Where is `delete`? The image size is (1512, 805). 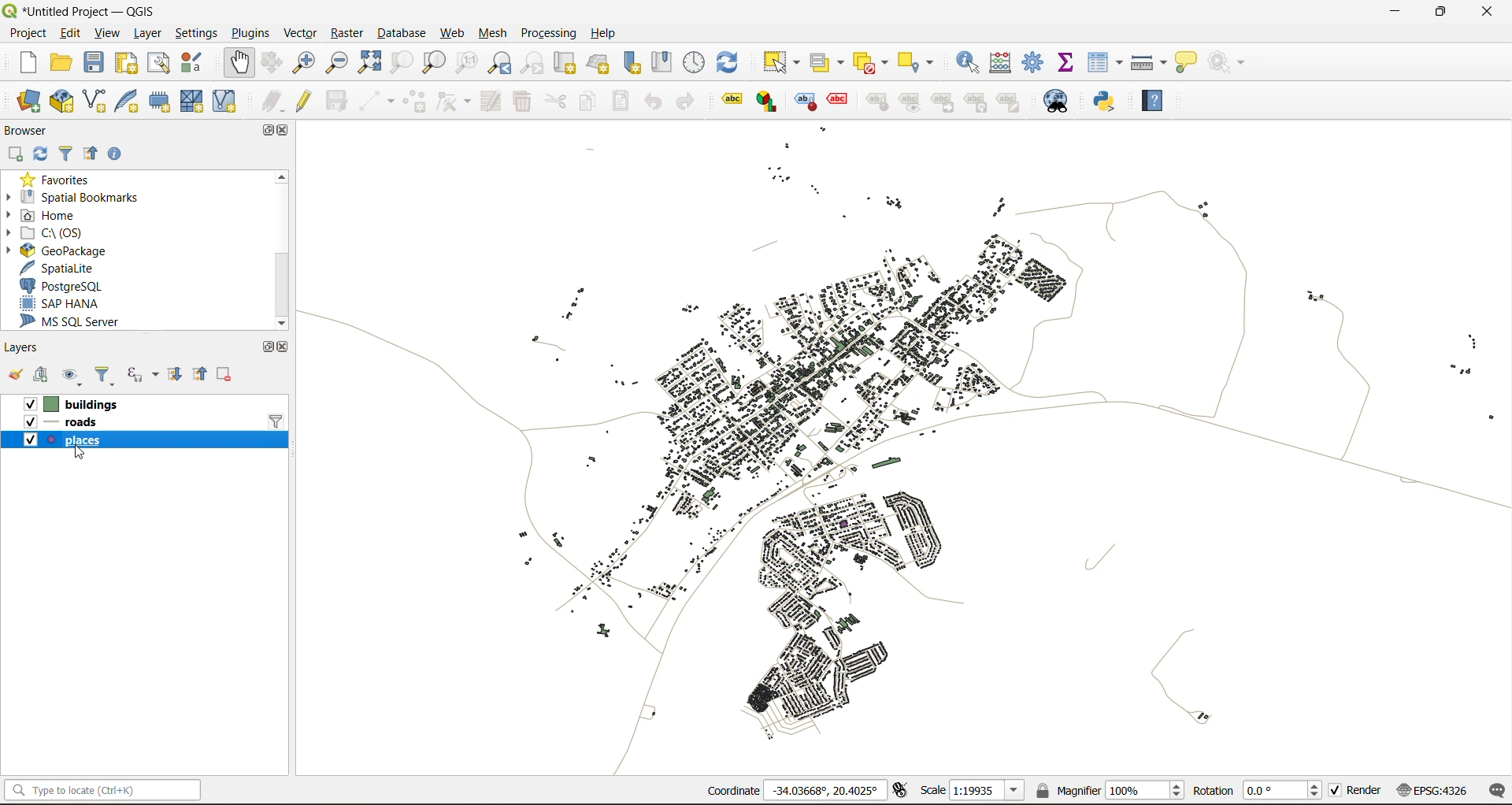
delete is located at coordinates (524, 103).